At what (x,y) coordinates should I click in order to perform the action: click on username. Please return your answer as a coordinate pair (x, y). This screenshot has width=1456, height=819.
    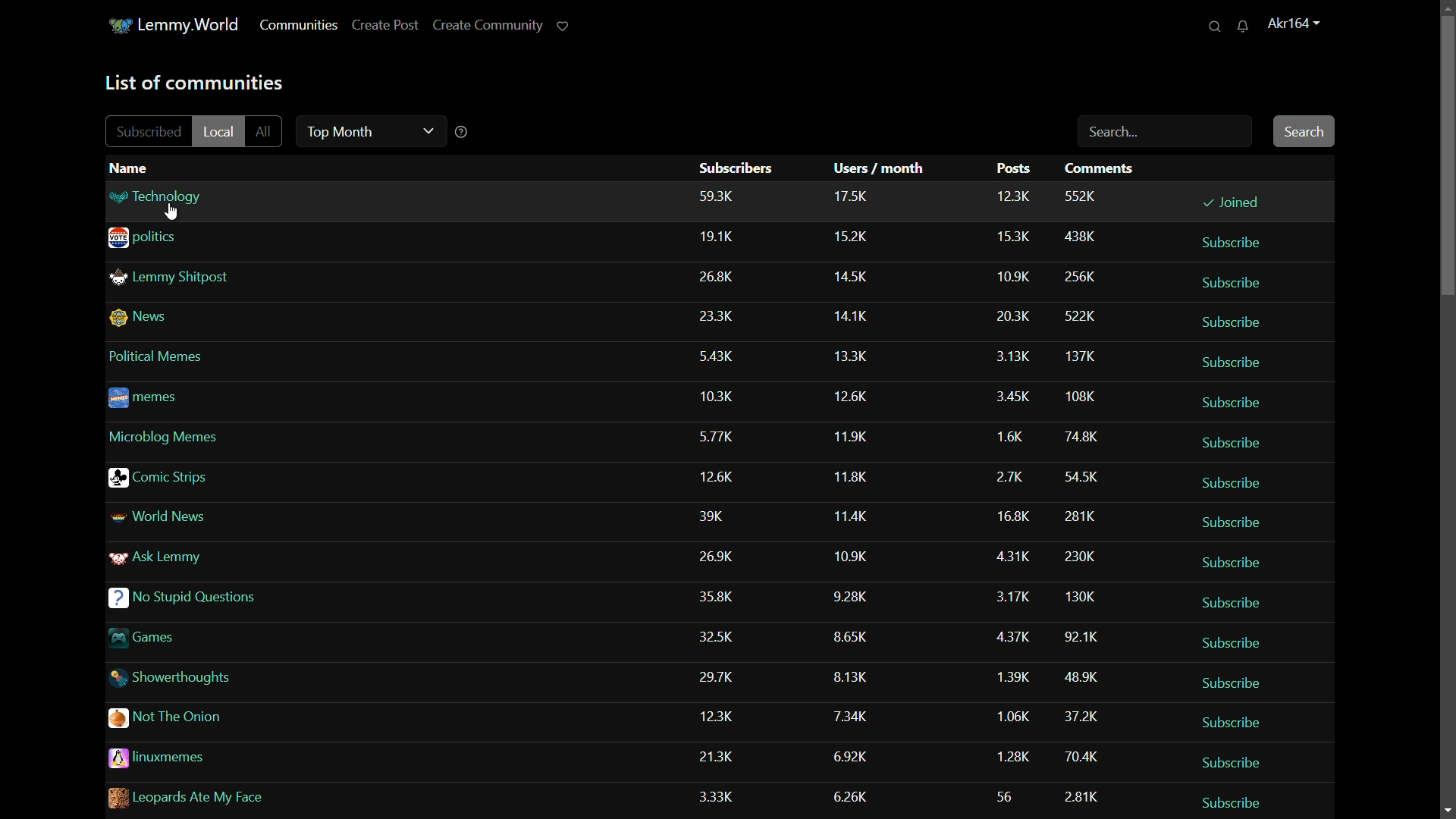
    Looking at the image, I should click on (1295, 24).